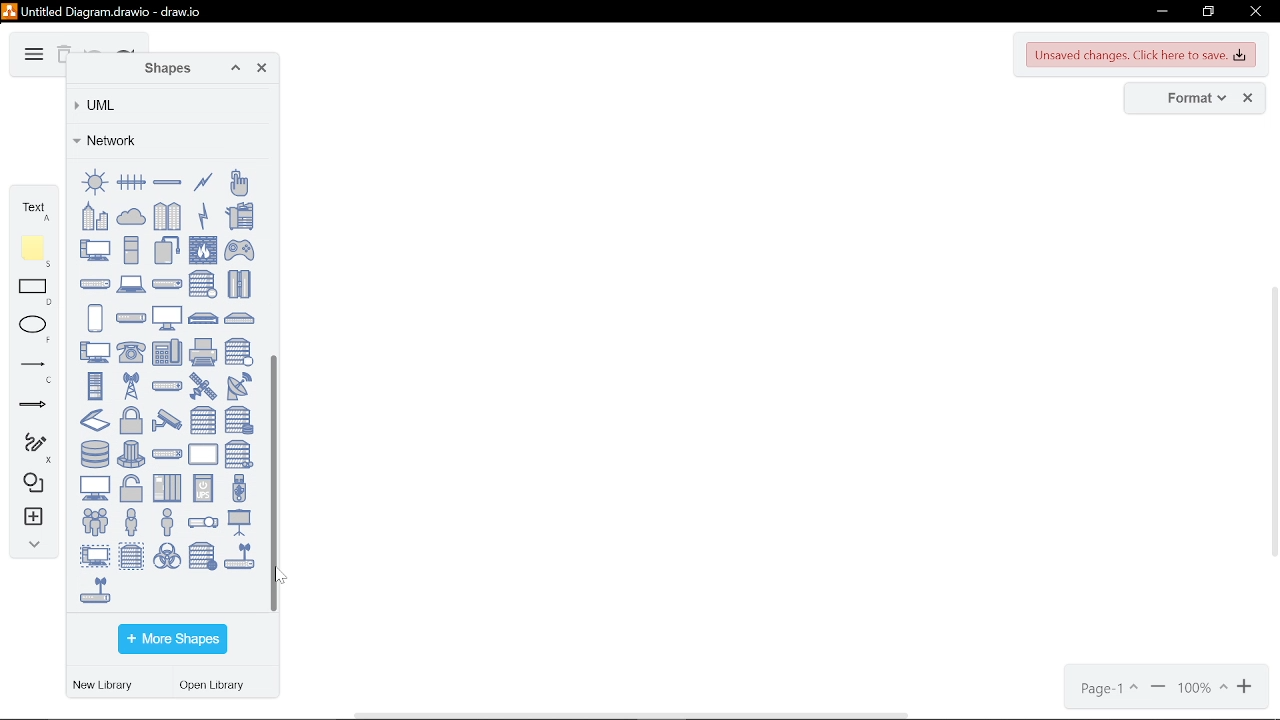 The height and width of the screenshot is (720, 1280). I want to click on bus, so click(131, 182).